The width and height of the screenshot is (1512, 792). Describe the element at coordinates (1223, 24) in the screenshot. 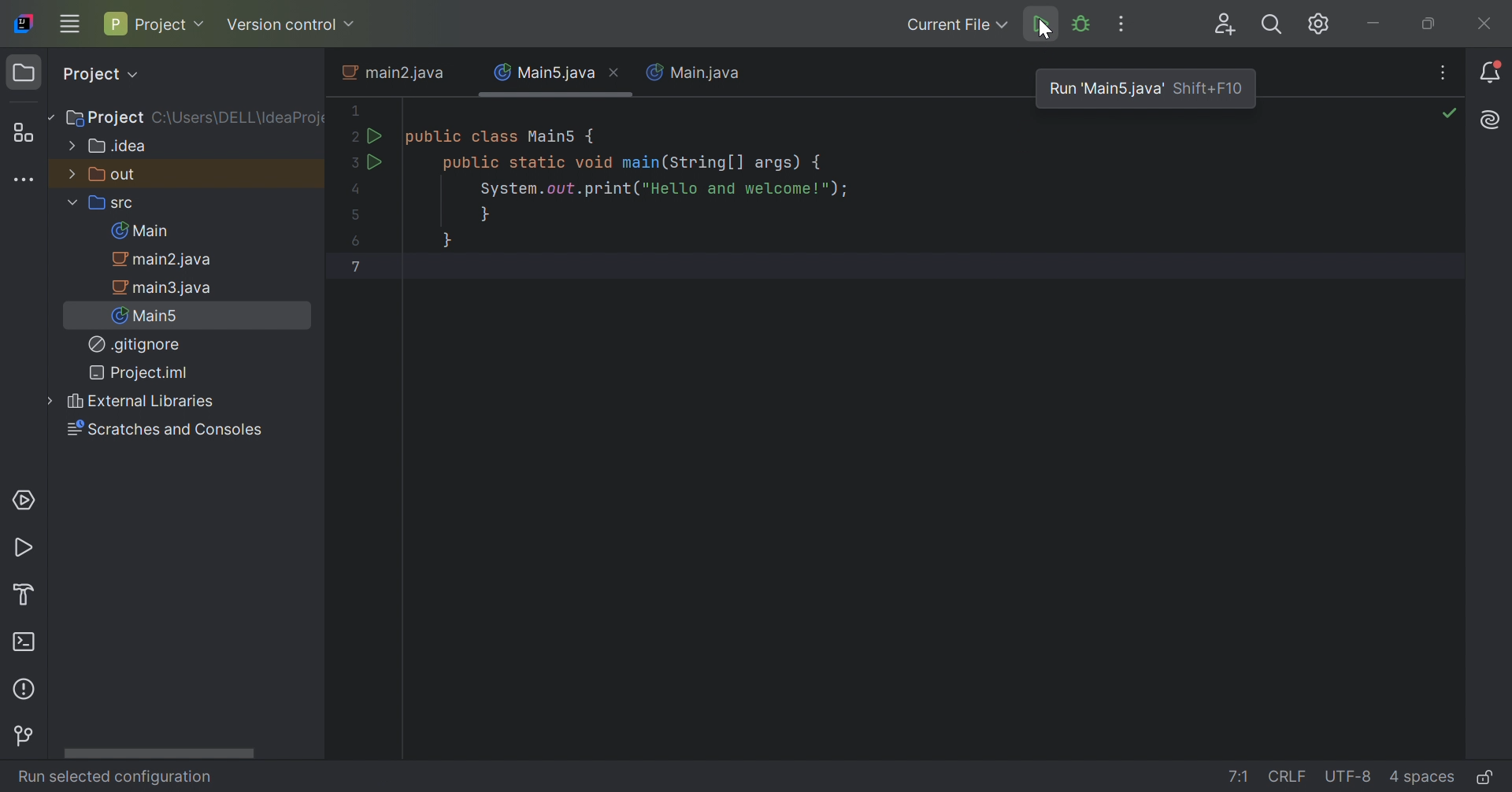

I see `Code With Me` at that location.